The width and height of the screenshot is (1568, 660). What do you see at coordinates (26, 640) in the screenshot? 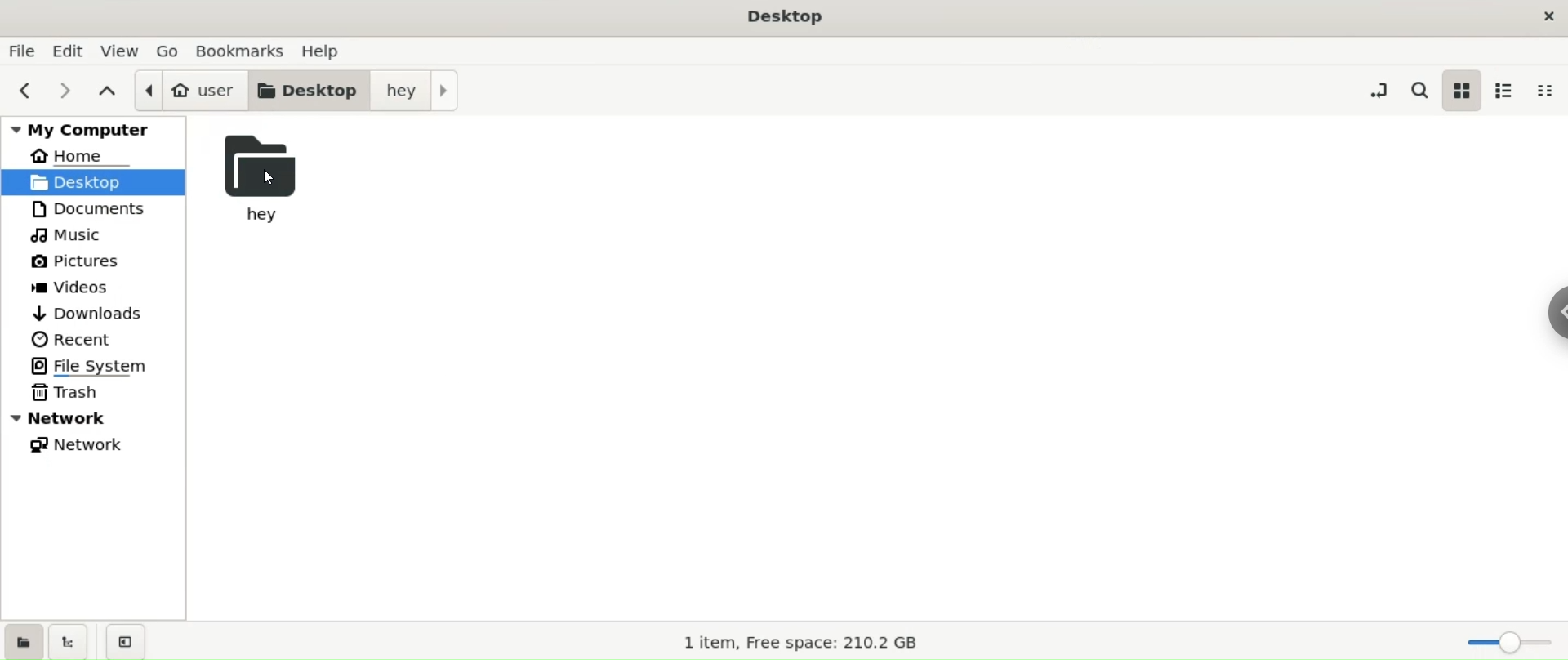
I see `show places` at bounding box center [26, 640].